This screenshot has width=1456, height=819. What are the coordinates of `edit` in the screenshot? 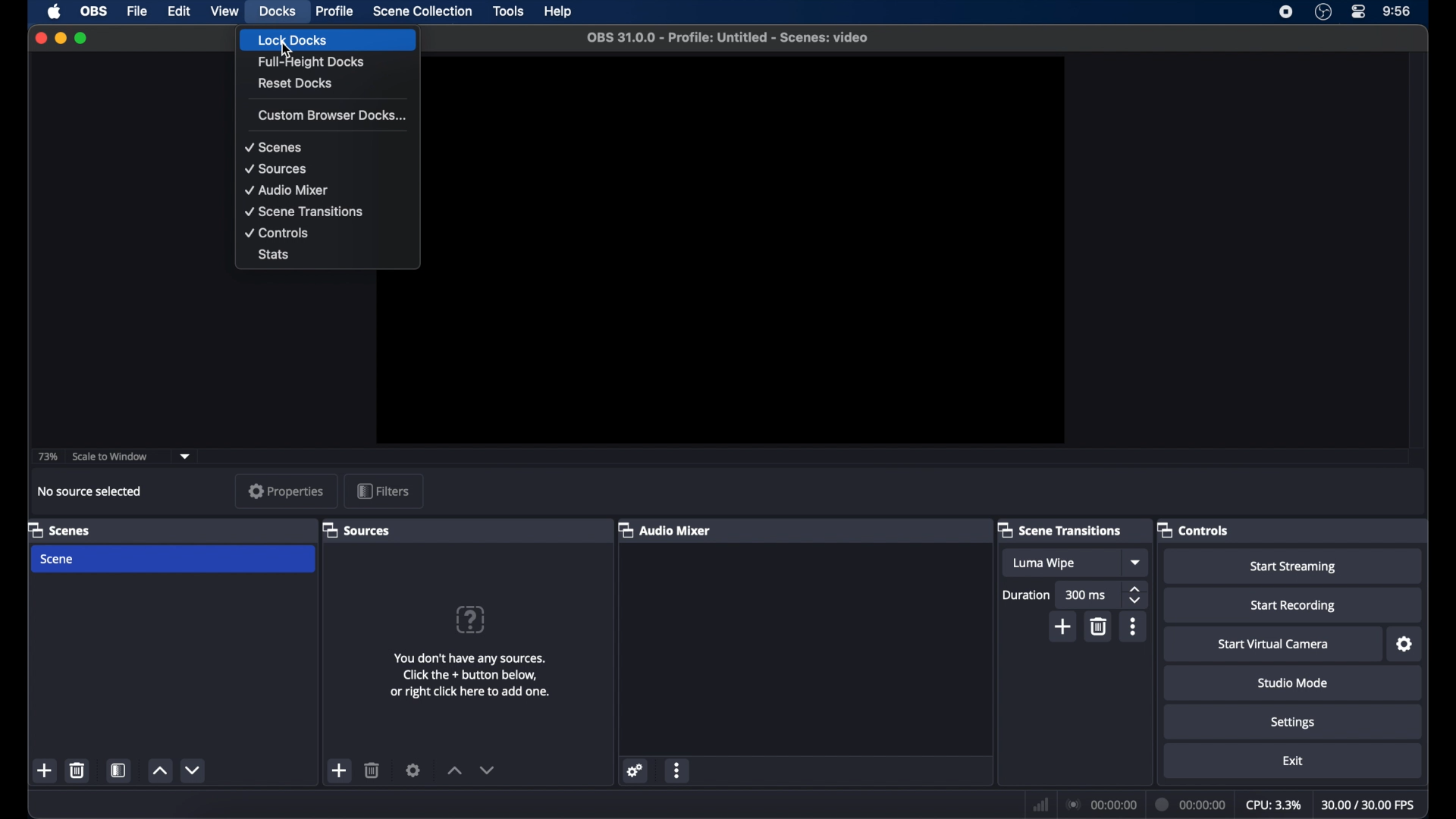 It's located at (178, 11).